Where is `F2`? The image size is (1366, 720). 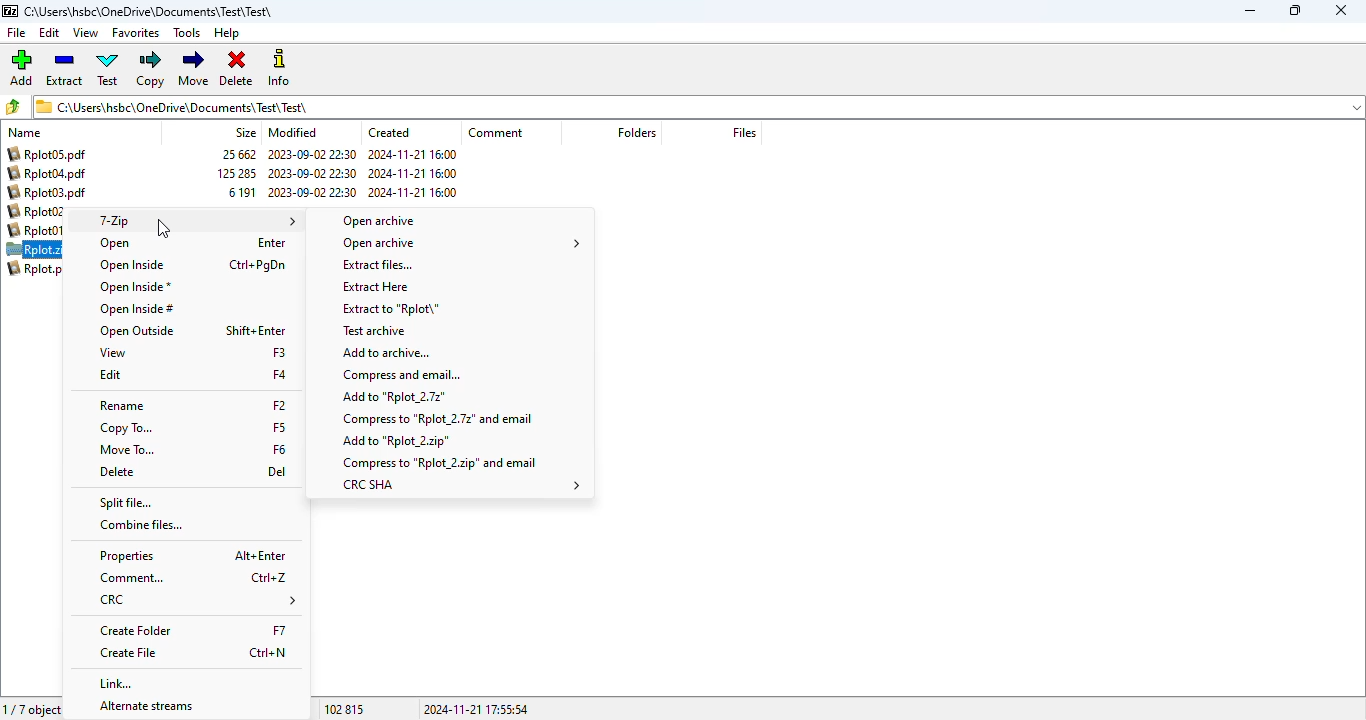
F2 is located at coordinates (278, 405).